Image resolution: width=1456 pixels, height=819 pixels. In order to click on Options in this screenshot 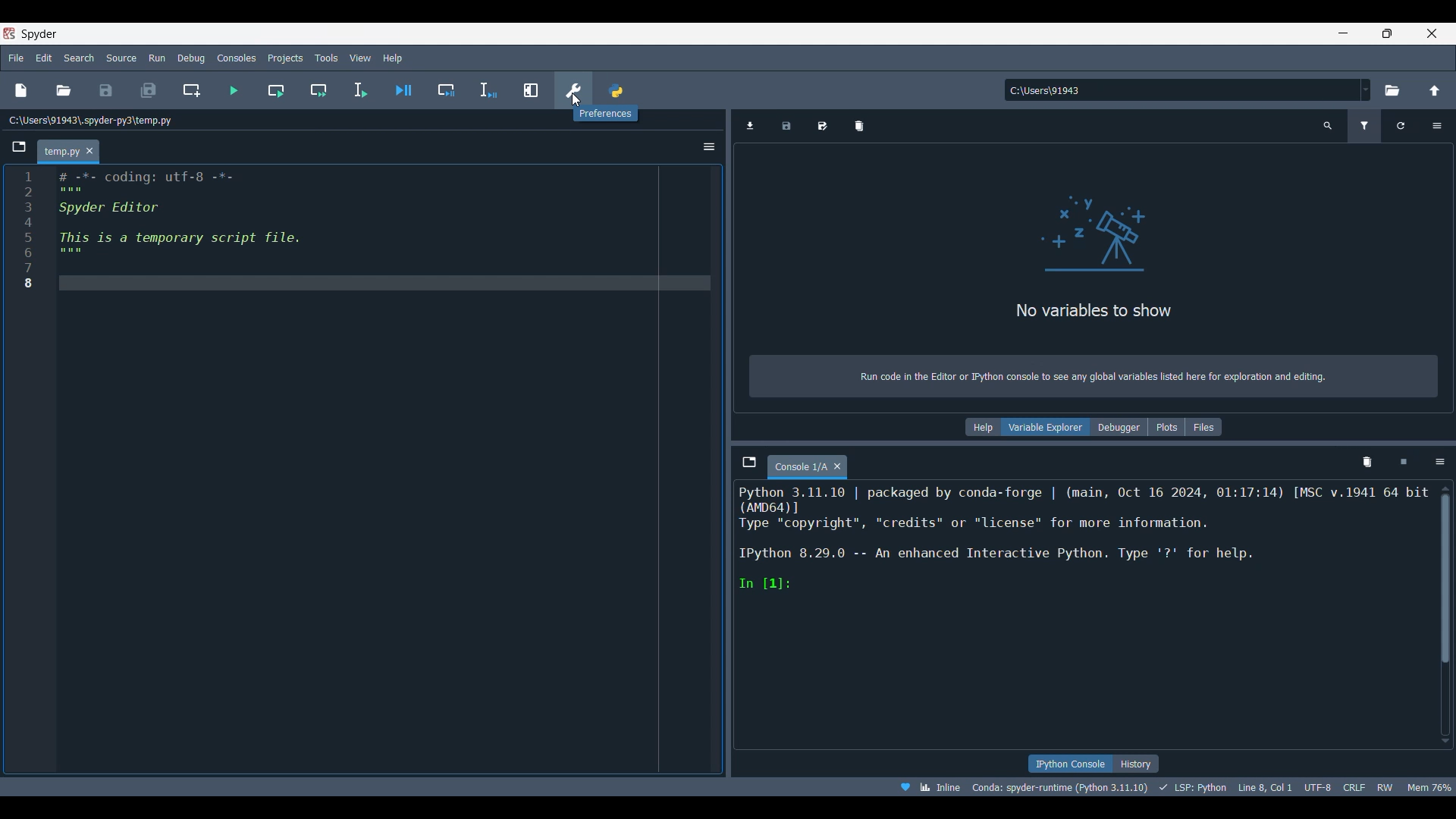, I will do `click(1440, 463)`.